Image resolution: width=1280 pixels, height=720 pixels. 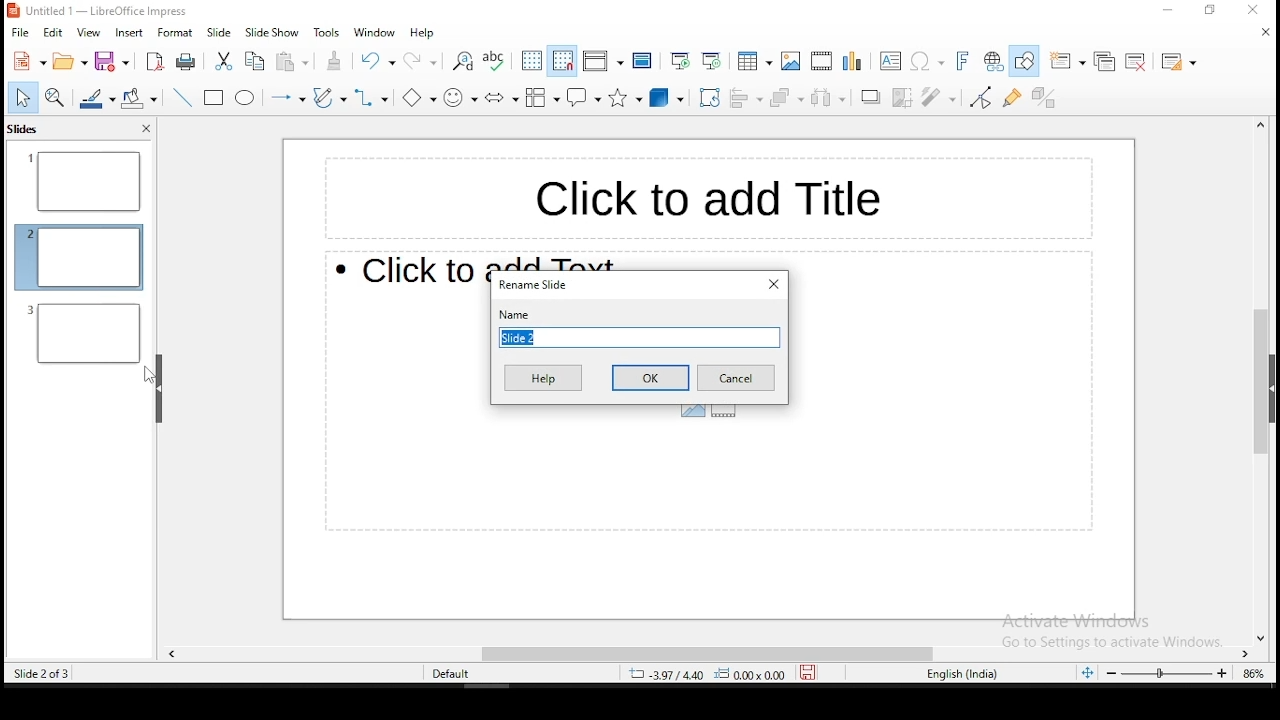 I want to click on basic shapes, so click(x=414, y=96).